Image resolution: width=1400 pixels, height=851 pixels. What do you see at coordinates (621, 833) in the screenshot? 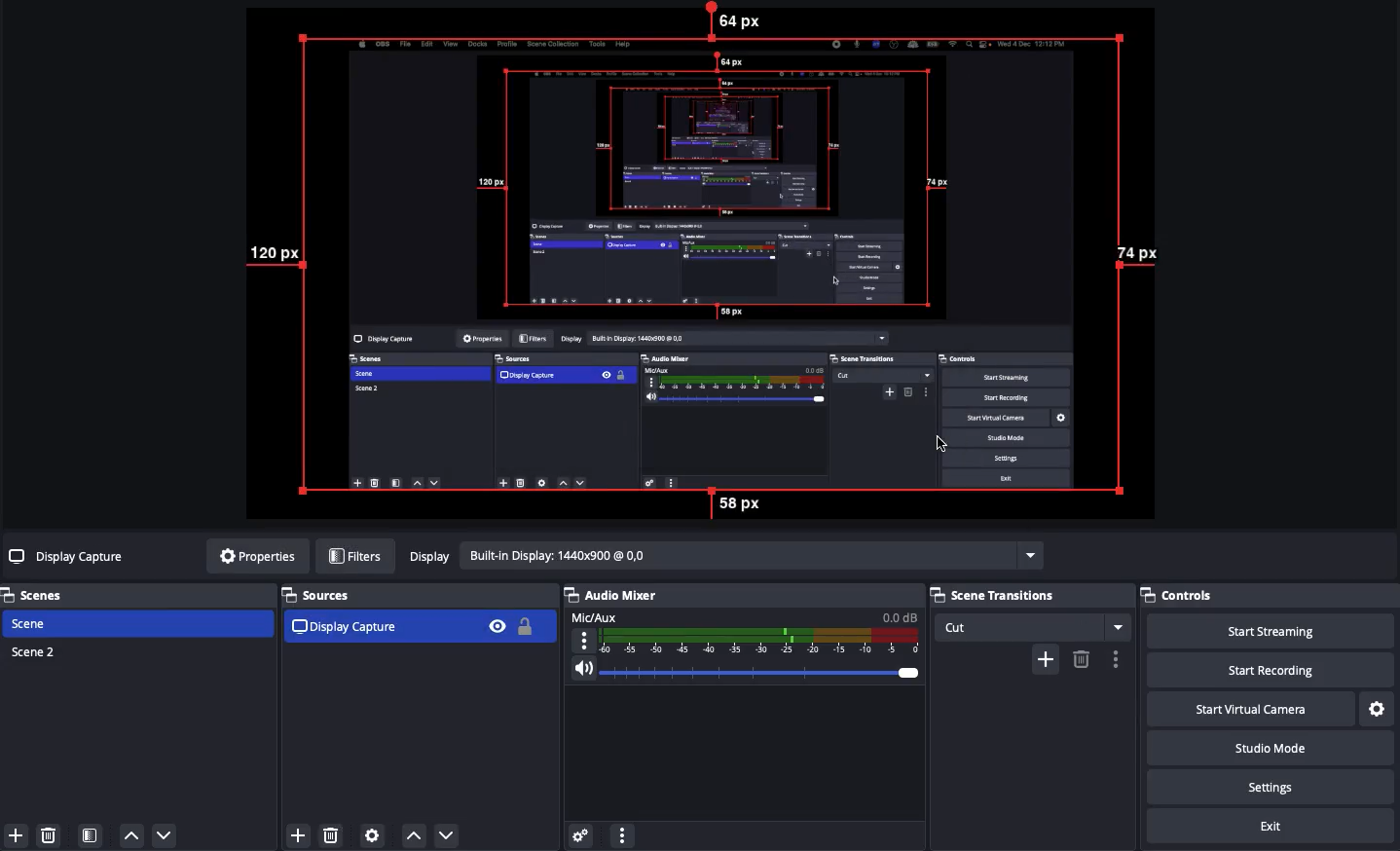
I see `More` at bounding box center [621, 833].